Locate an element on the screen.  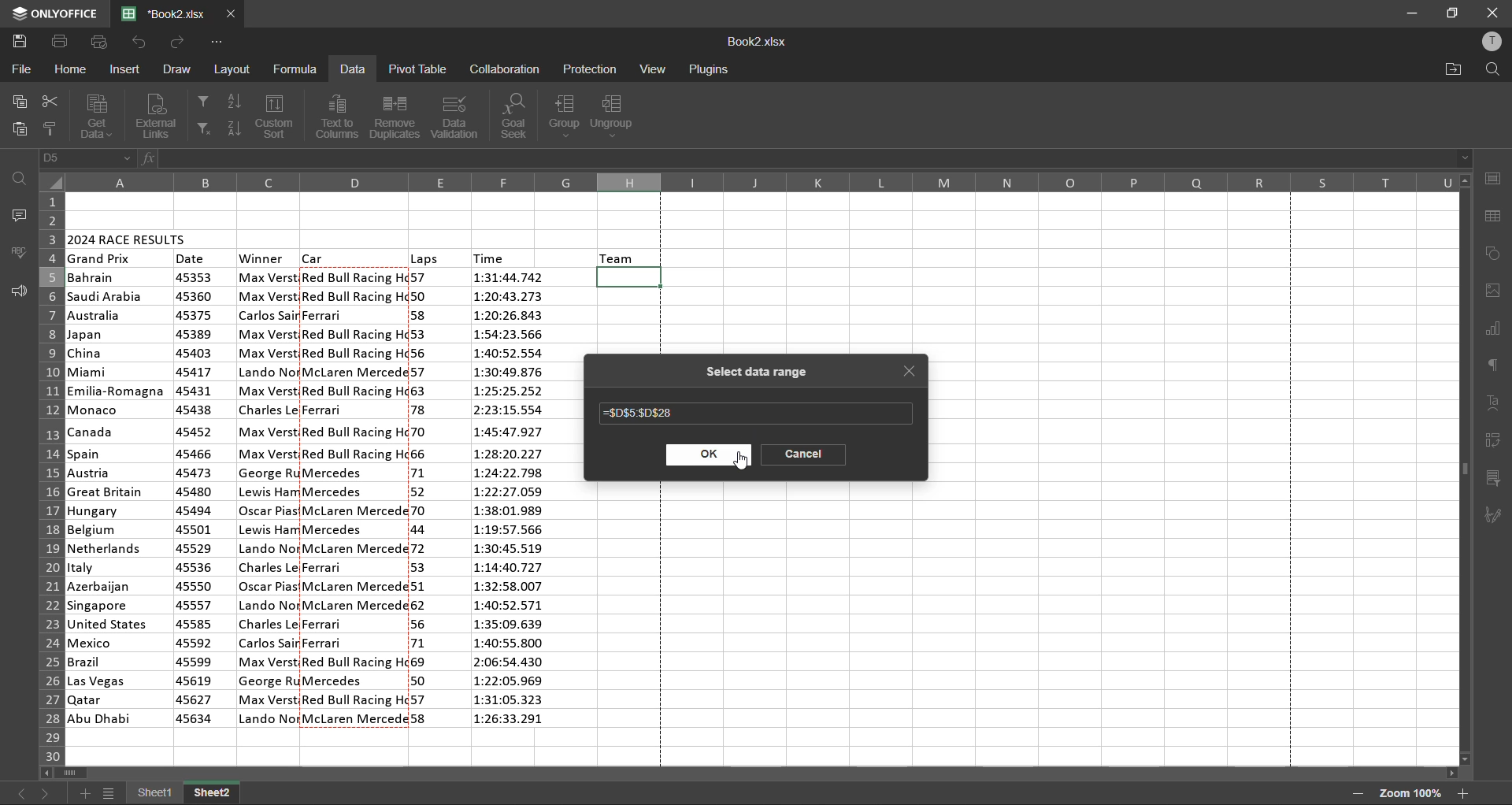
winner is located at coordinates (262, 258).